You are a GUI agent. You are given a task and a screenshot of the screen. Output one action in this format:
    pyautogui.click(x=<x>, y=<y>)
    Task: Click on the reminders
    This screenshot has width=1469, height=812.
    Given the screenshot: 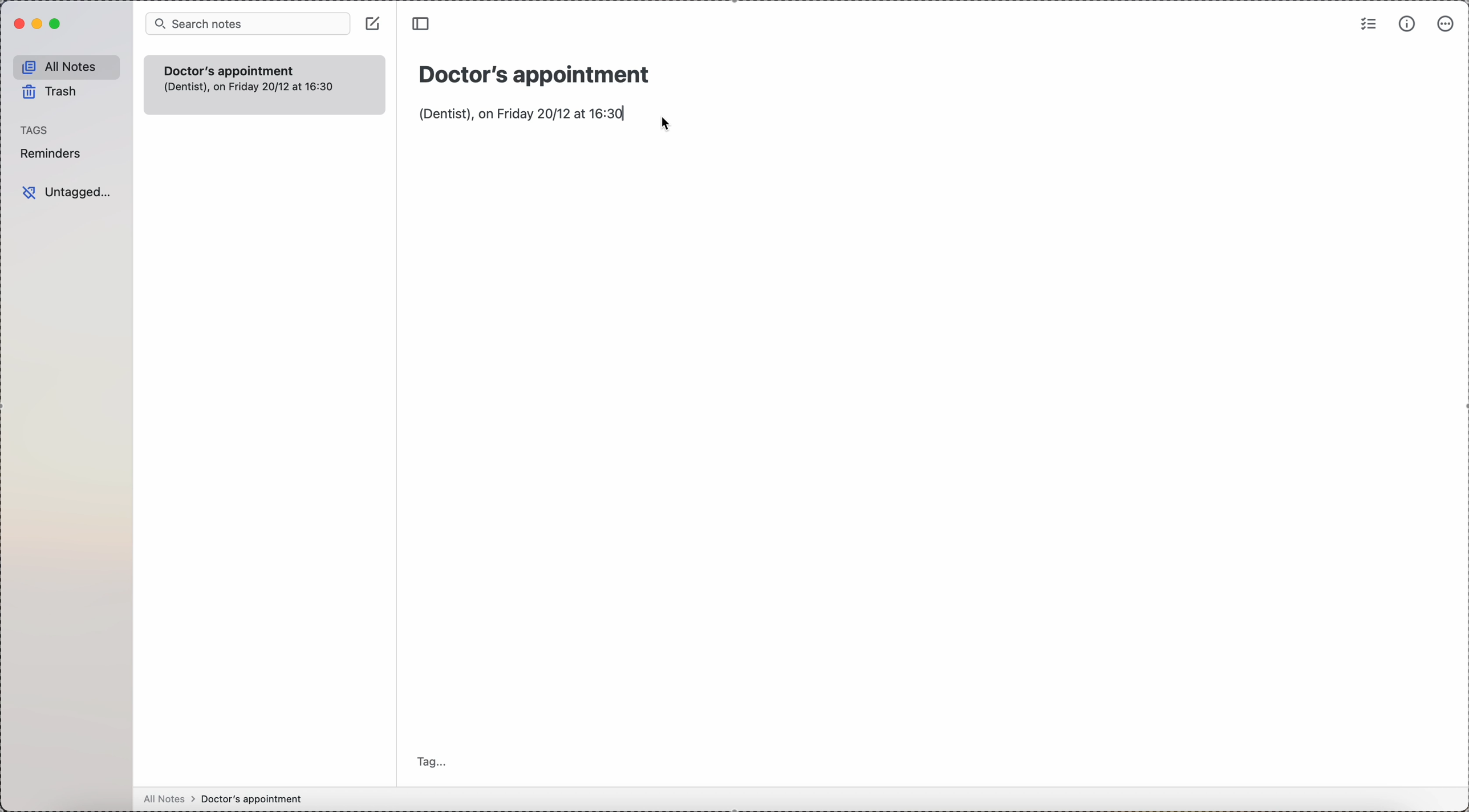 What is the action you would take?
    pyautogui.click(x=54, y=153)
    